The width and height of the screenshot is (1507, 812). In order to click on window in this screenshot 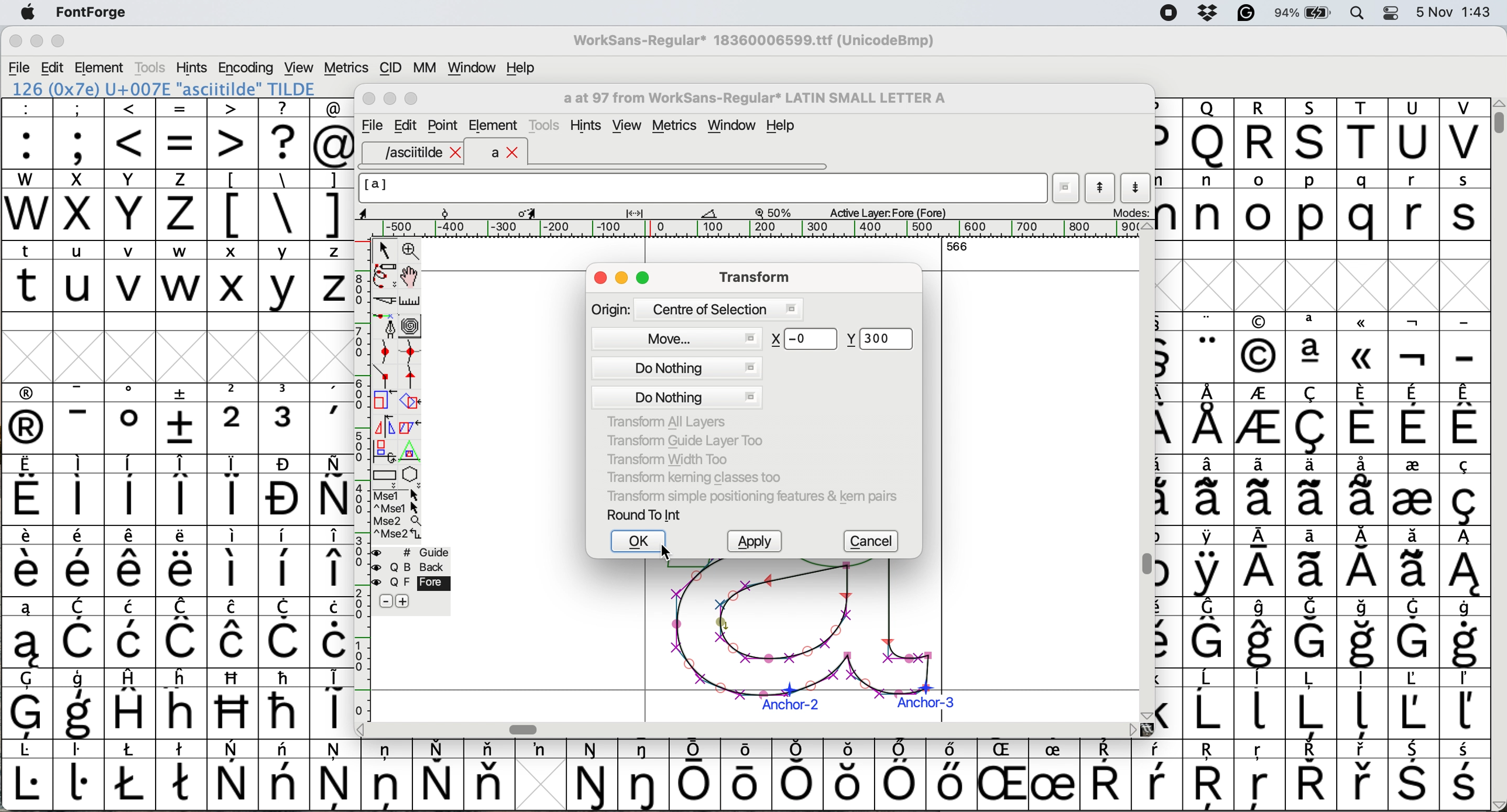, I will do `click(469, 68)`.